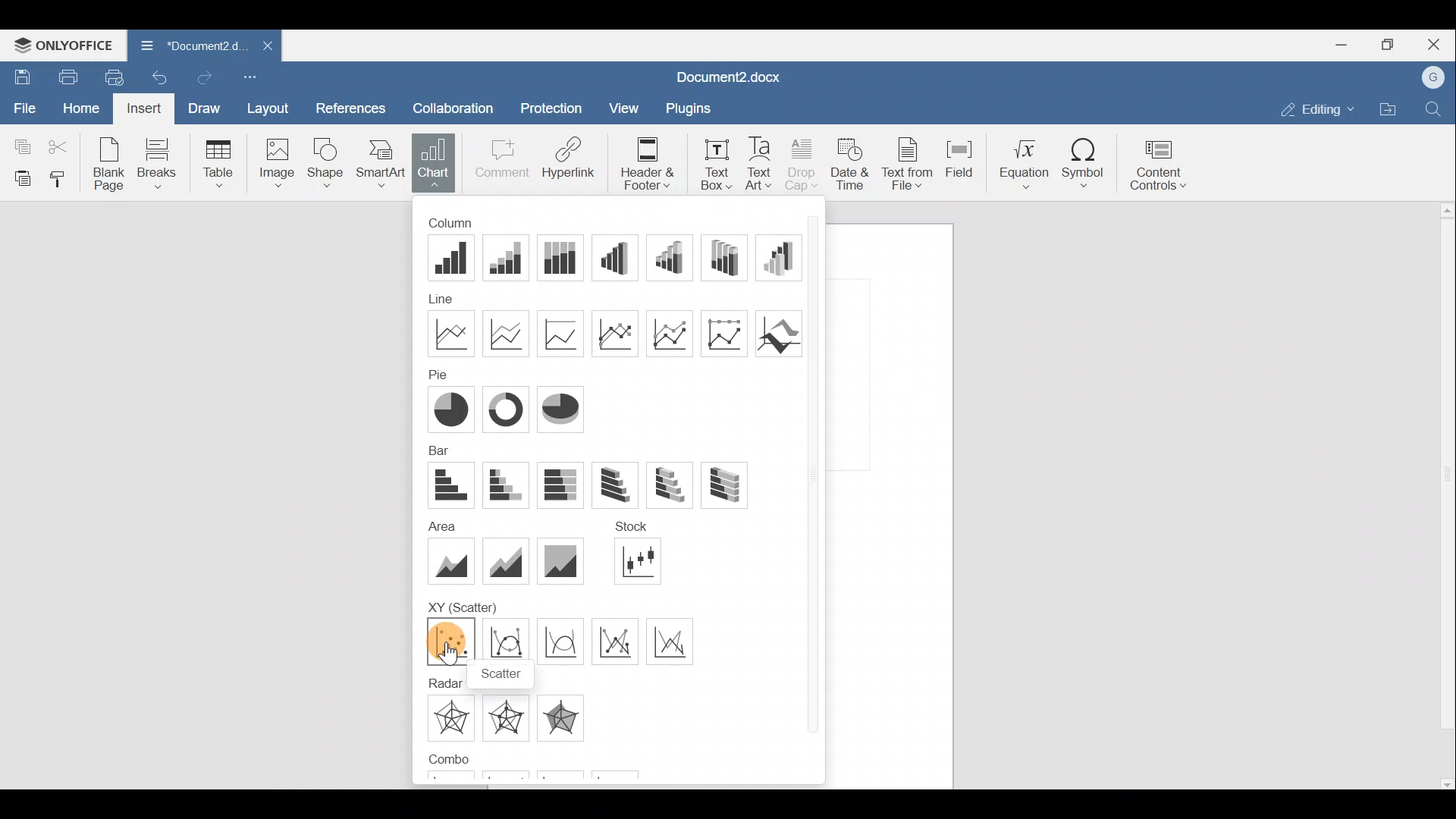 The width and height of the screenshot is (1456, 819). Describe the element at coordinates (1338, 46) in the screenshot. I see `Minimize` at that location.